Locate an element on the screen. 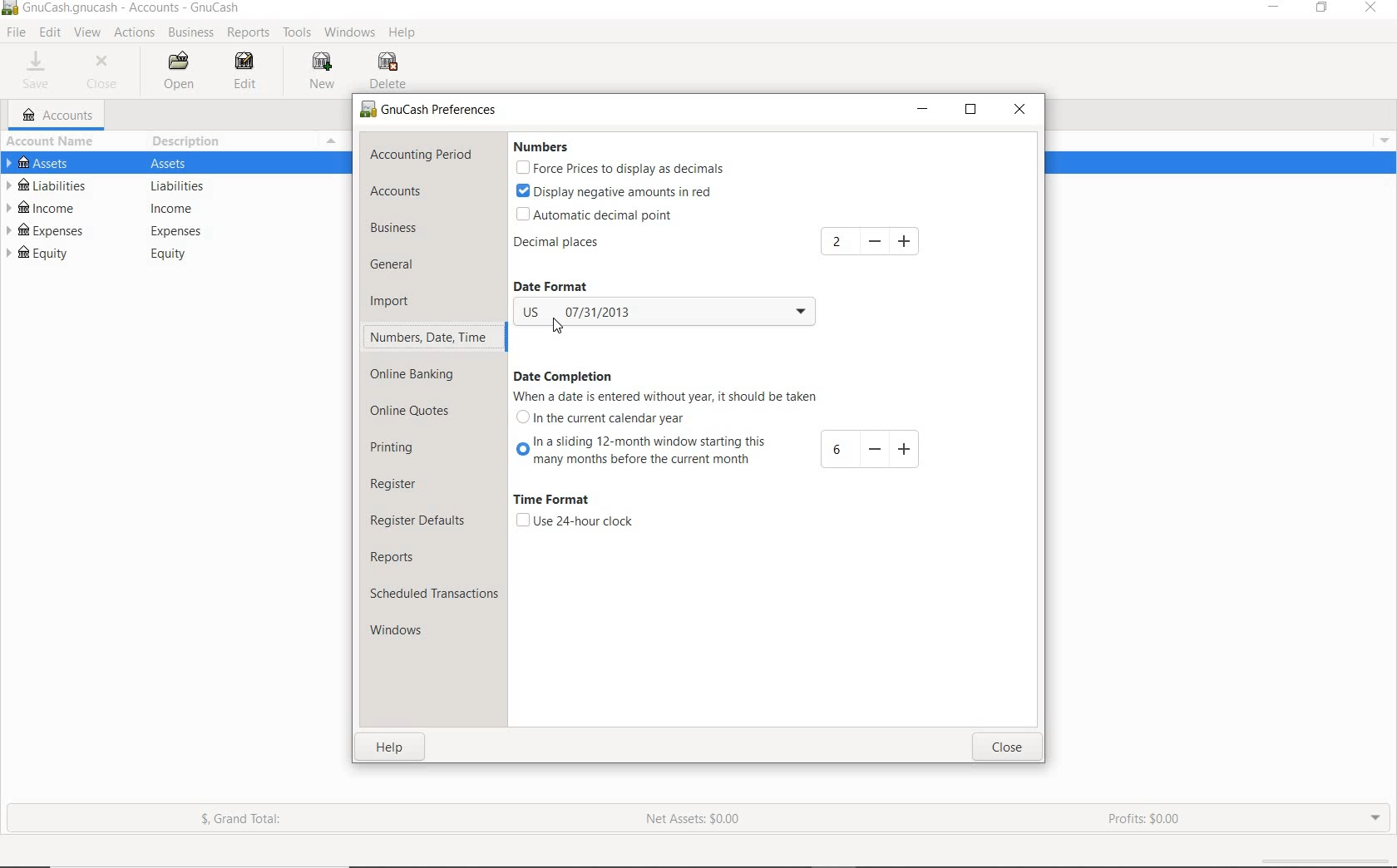 This screenshot has width=1397, height=868. NET ASSETS is located at coordinates (693, 824).